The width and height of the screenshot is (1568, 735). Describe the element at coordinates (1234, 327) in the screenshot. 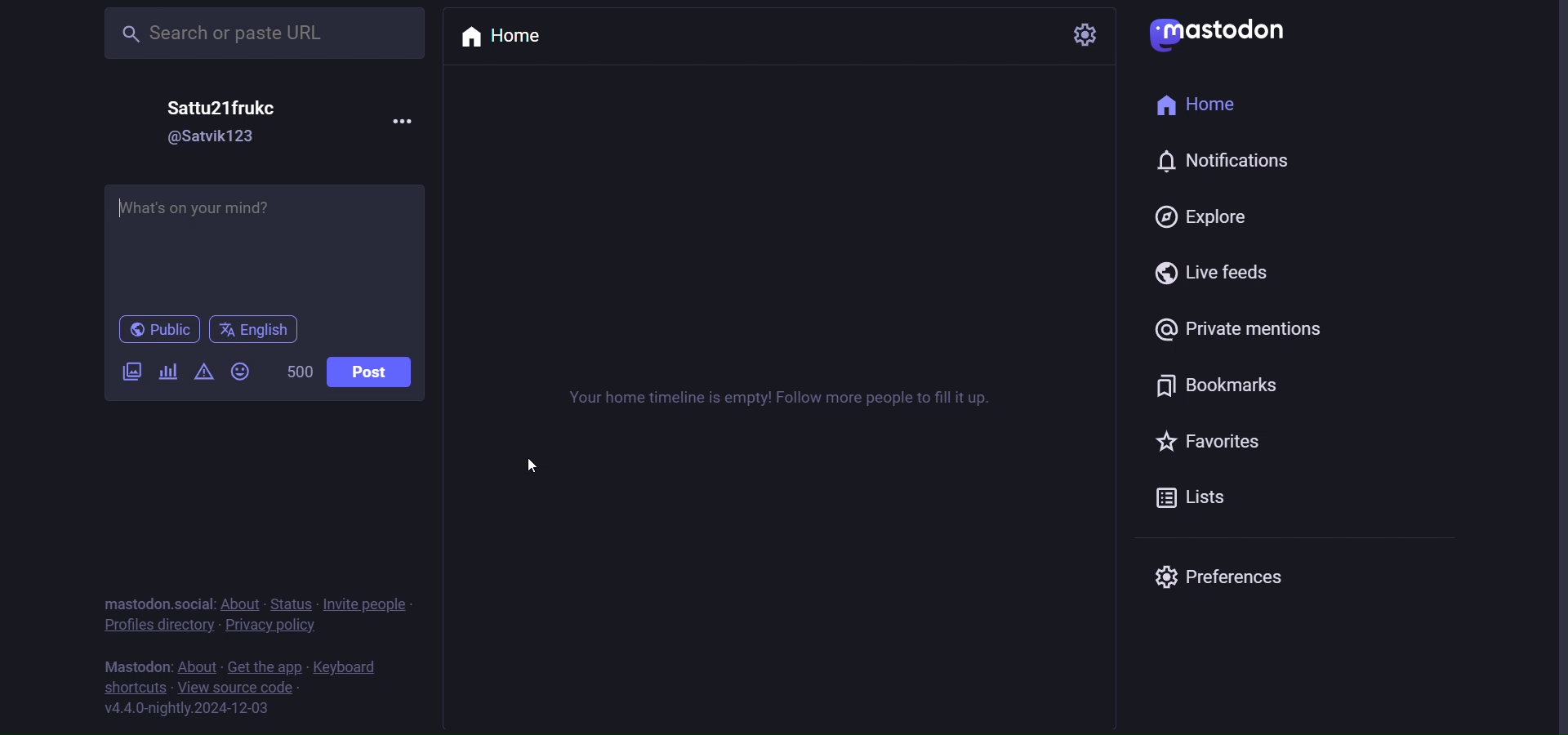

I see `private mention` at that location.